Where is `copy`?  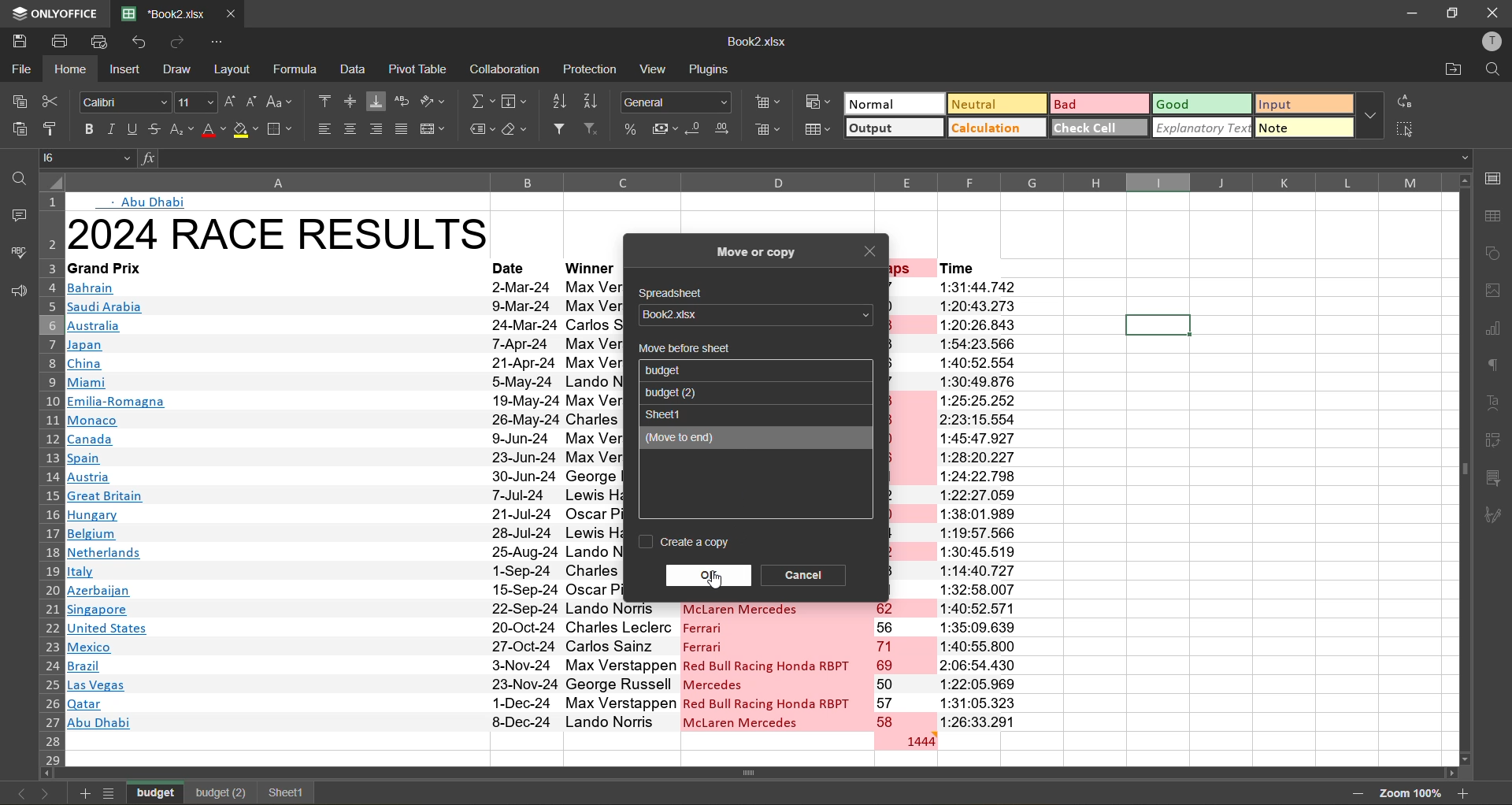
copy is located at coordinates (20, 102).